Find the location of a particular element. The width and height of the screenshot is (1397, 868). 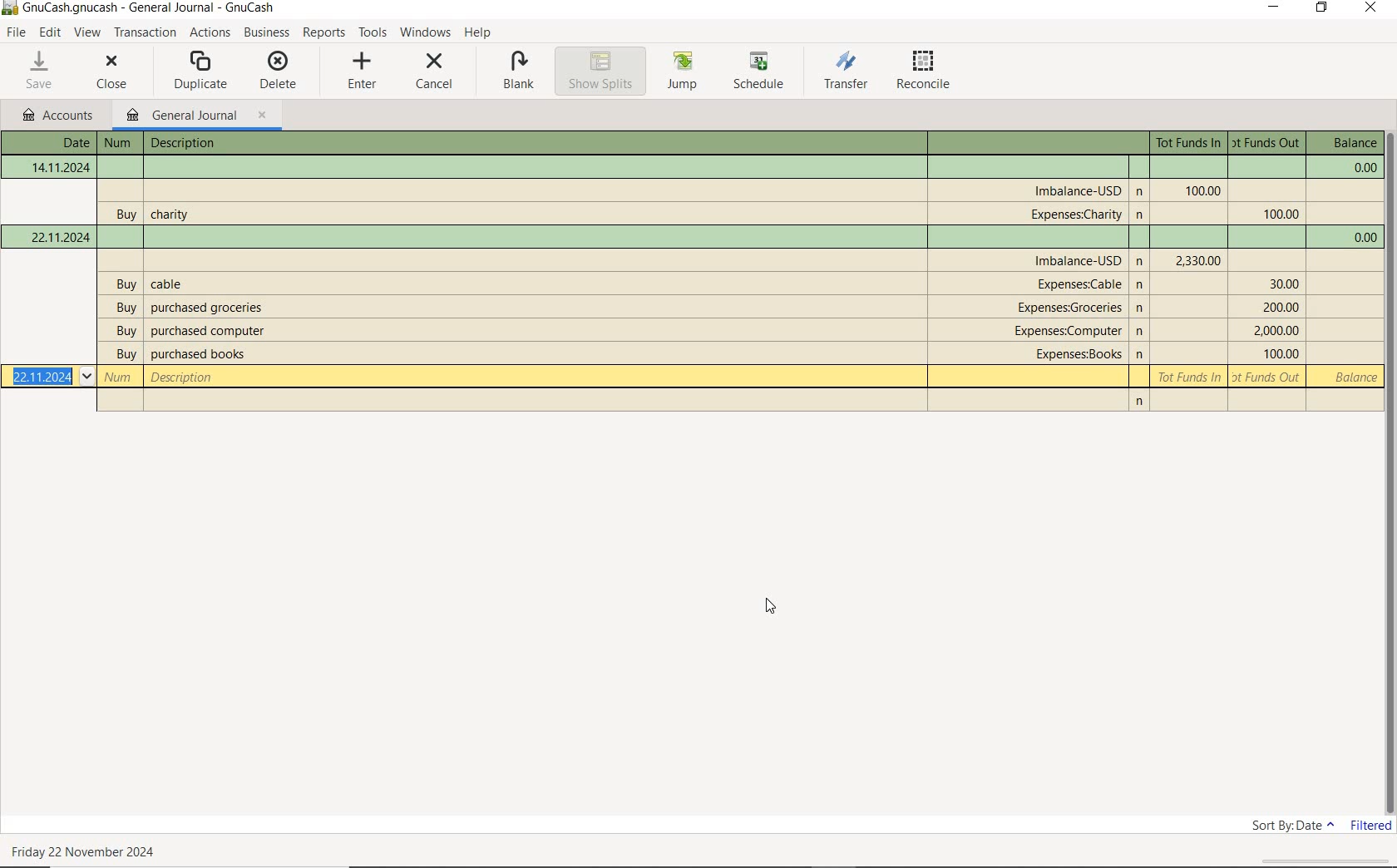

Tot Funds In is located at coordinates (1191, 377).